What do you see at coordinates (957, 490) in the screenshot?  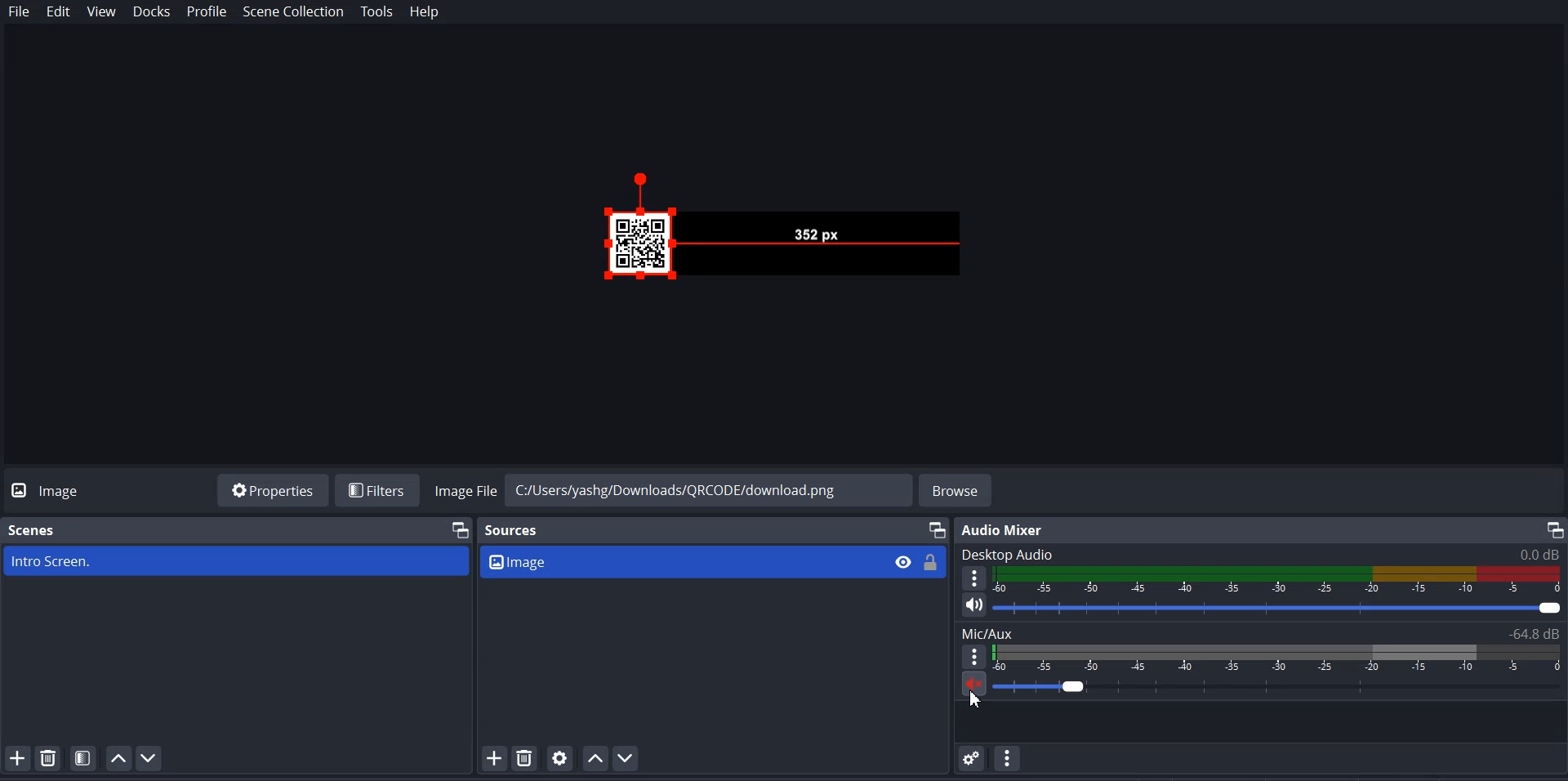 I see `Browse` at bounding box center [957, 490].